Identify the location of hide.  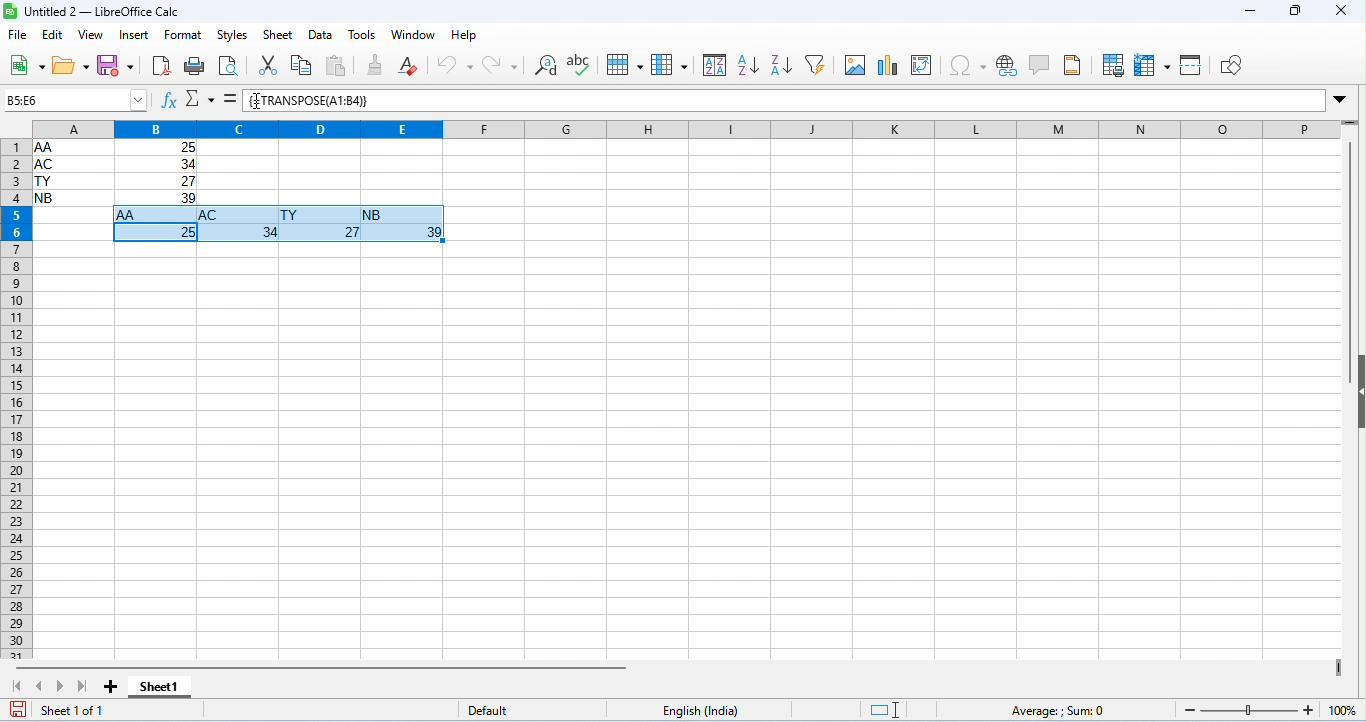
(1357, 390).